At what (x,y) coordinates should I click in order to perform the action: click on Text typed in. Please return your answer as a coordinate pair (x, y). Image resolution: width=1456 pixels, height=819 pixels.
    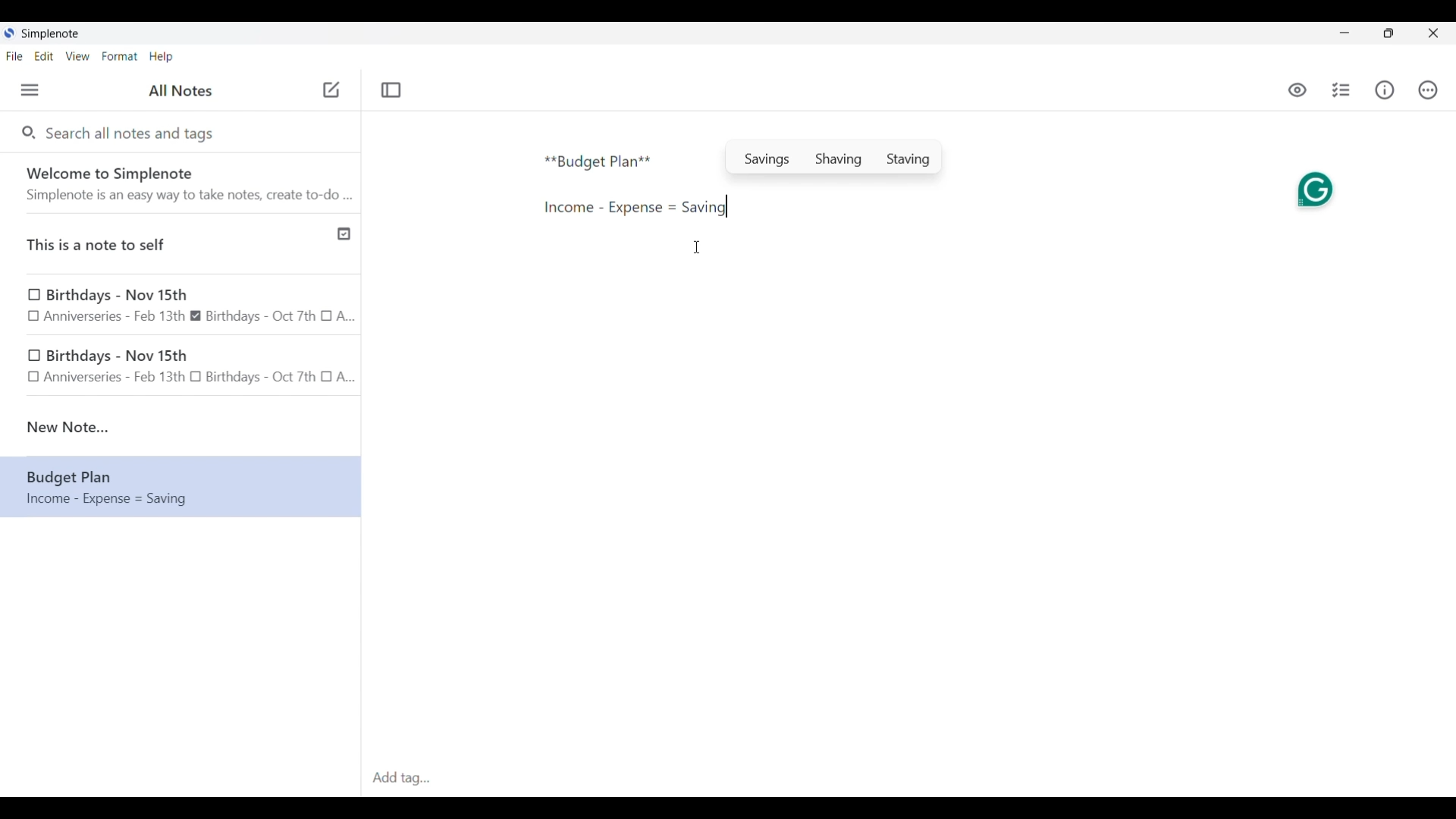
    Looking at the image, I should click on (598, 162).